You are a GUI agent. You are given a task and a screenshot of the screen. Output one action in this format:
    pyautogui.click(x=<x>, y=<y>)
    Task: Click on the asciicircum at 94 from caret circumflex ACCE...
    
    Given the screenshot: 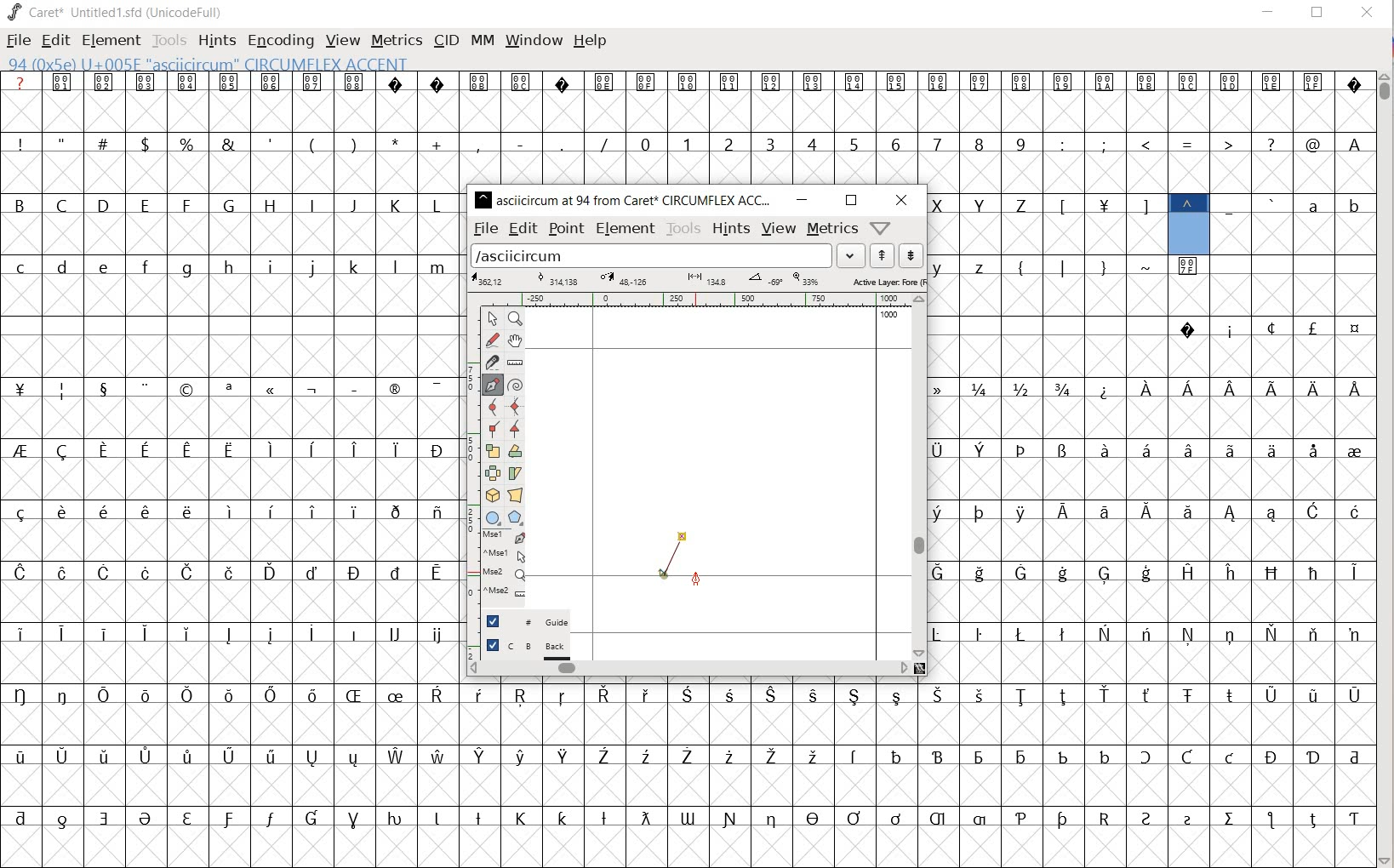 What is the action you would take?
    pyautogui.click(x=626, y=197)
    